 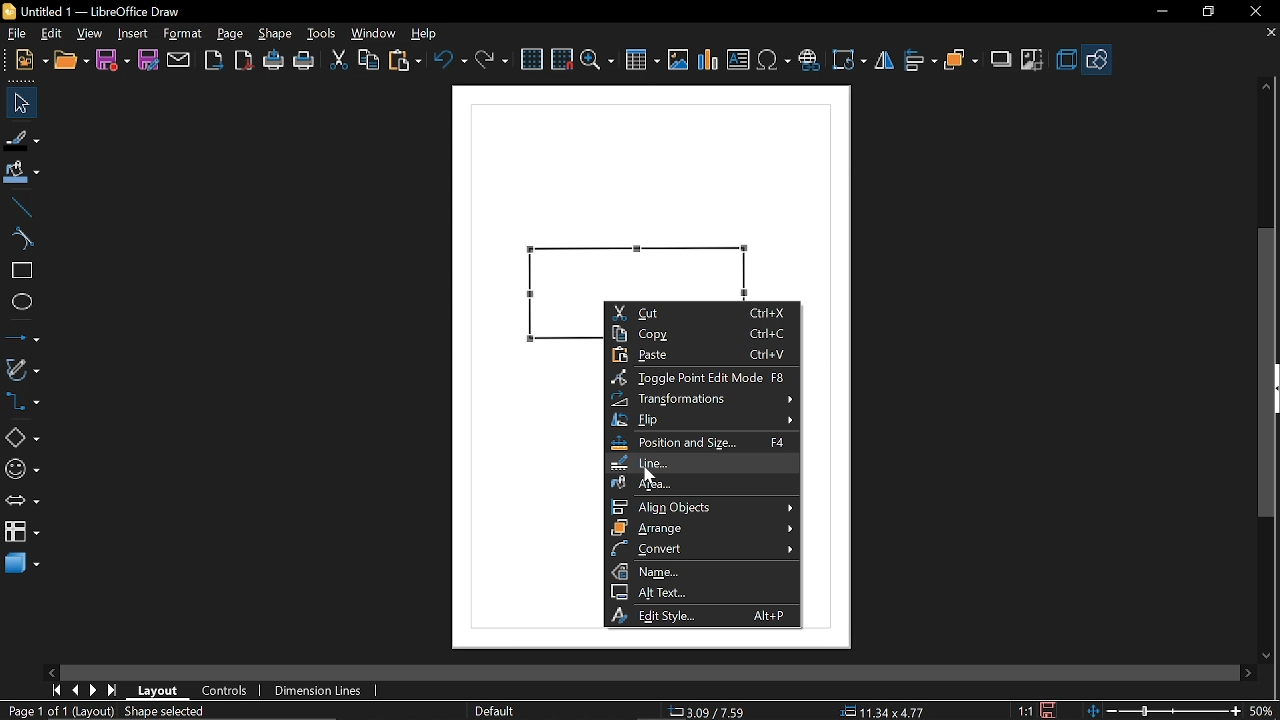 I want to click on ellipse, so click(x=18, y=301).